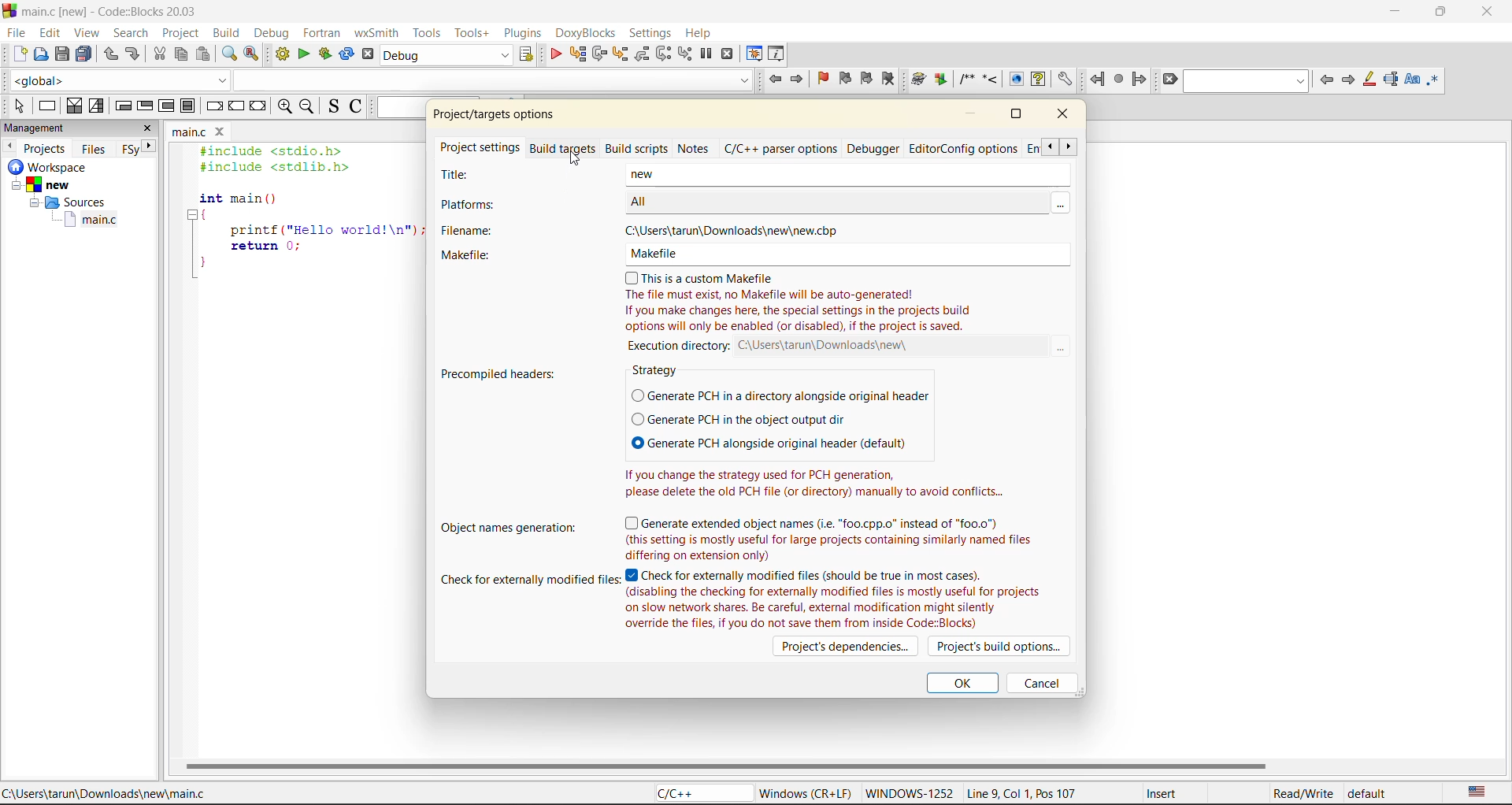 This screenshot has height=805, width=1512. Describe the element at coordinates (120, 79) in the screenshot. I see `<global>` at that location.